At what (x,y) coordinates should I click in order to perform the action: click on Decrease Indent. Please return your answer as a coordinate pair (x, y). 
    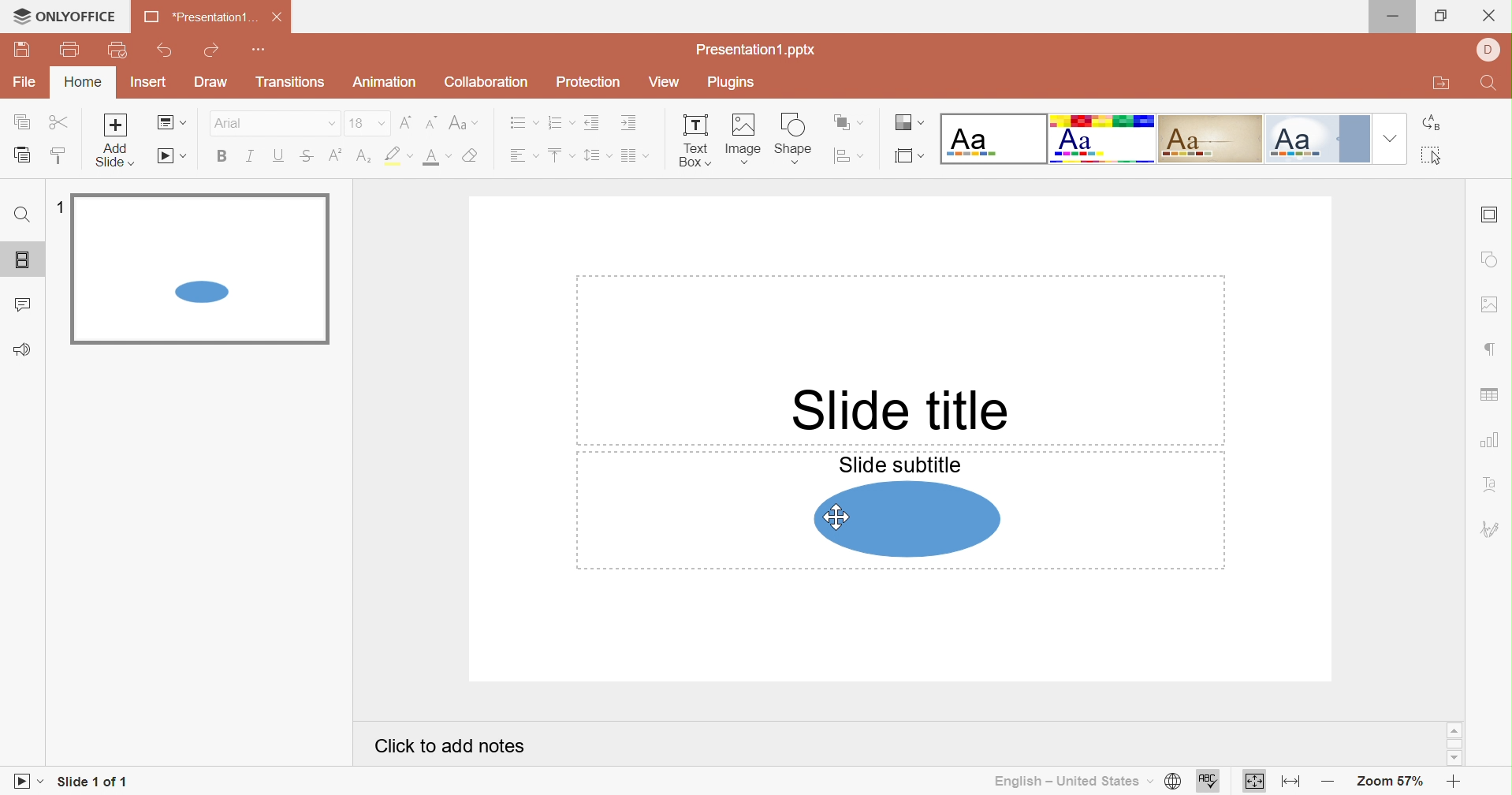
    Looking at the image, I should click on (592, 125).